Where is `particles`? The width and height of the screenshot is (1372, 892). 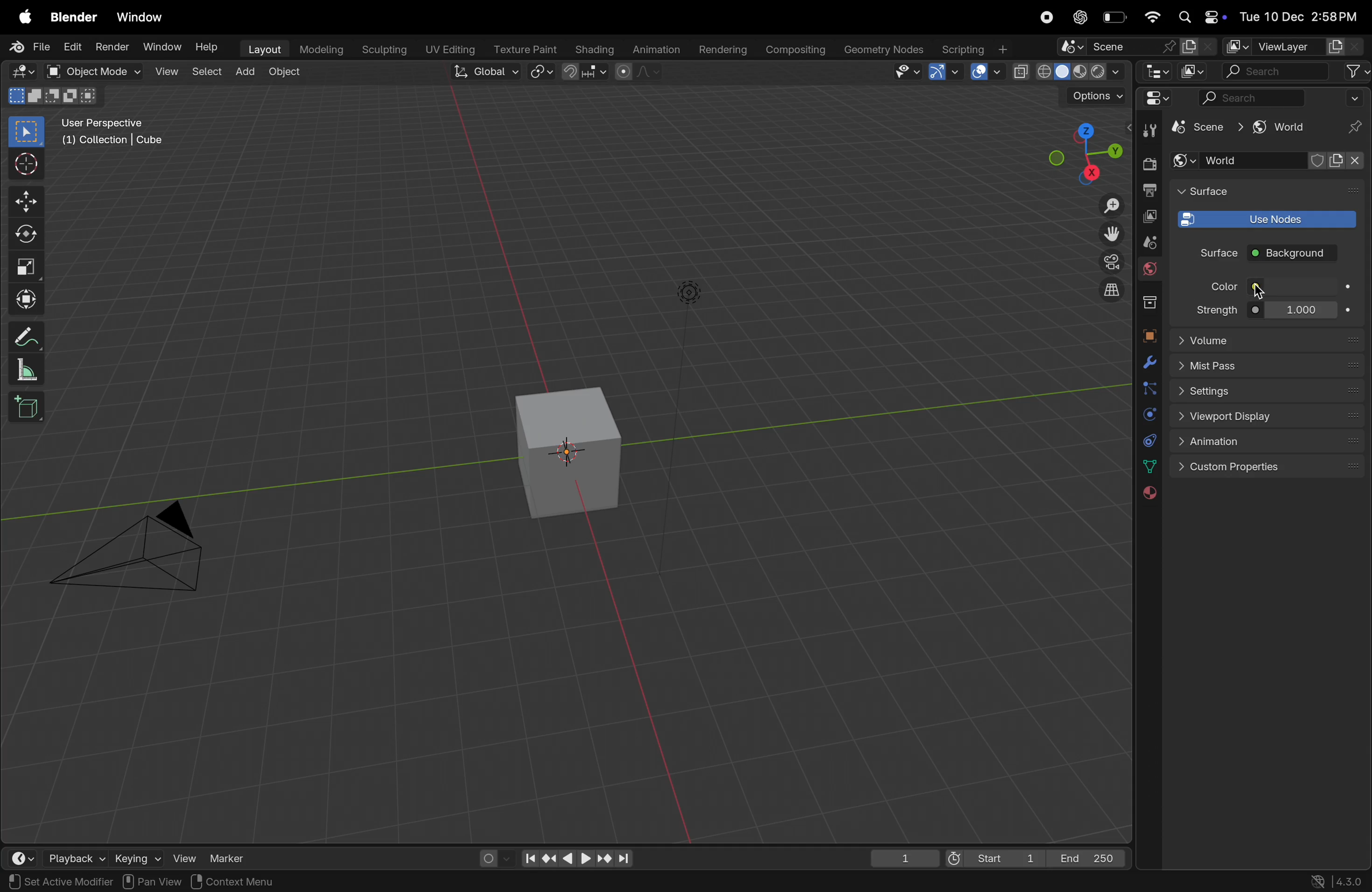 particles is located at coordinates (1148, 388).